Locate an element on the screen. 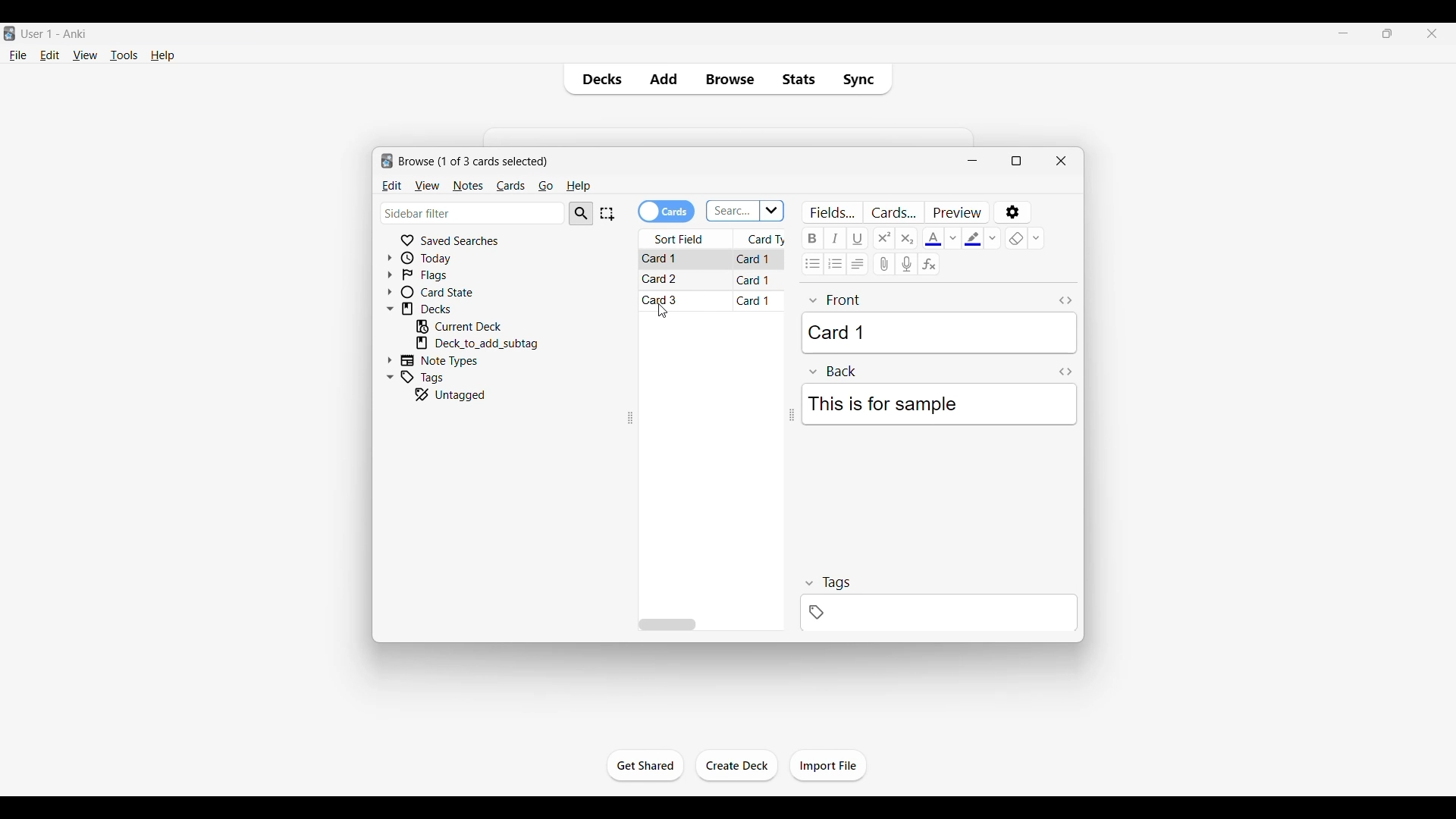 The width and height of the screenshot is (1456, 819). Click to start the study session for current deck is located at coordinates (645, 766).